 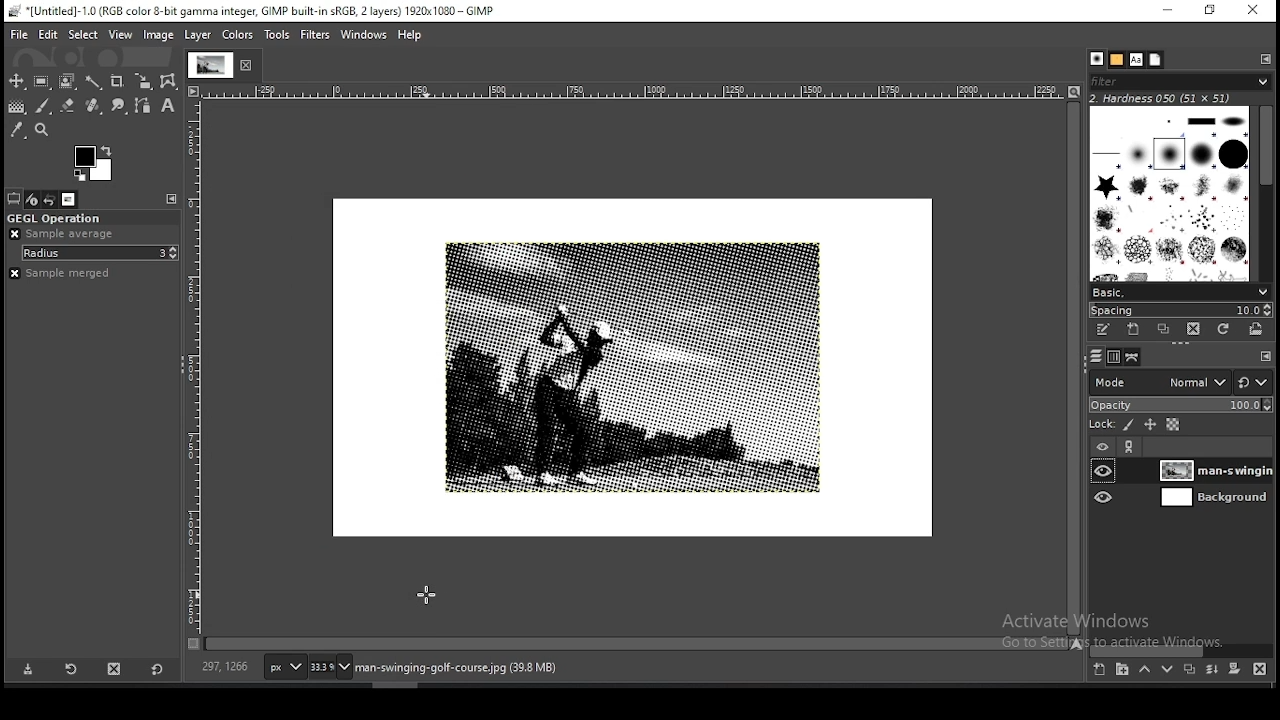 What do you see at coordinates (1177, 291) in the screenshot?
I see `brush presets` at bounding box center [1177, 291].